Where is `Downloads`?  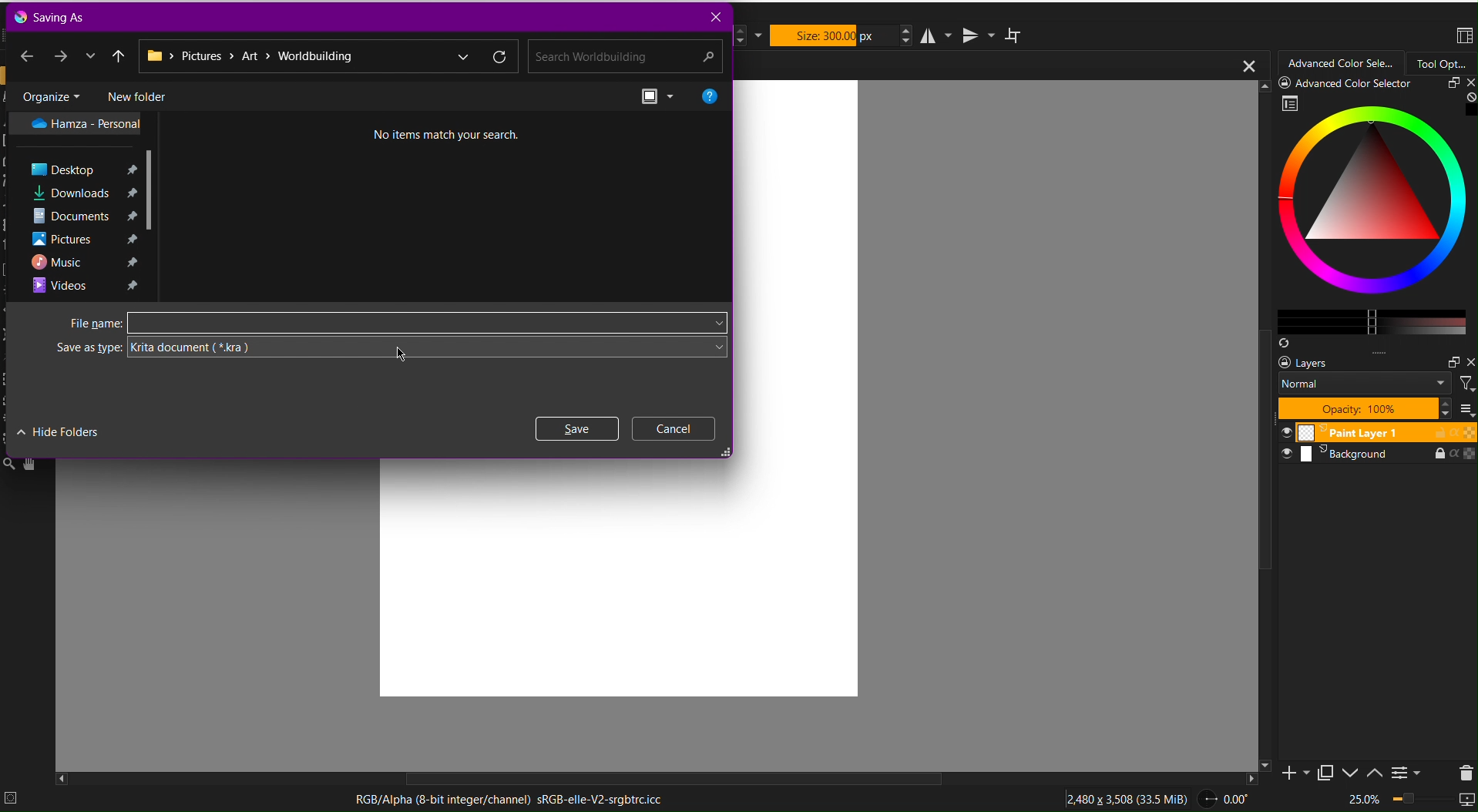
Downloads is located at coordinates (71, 192).